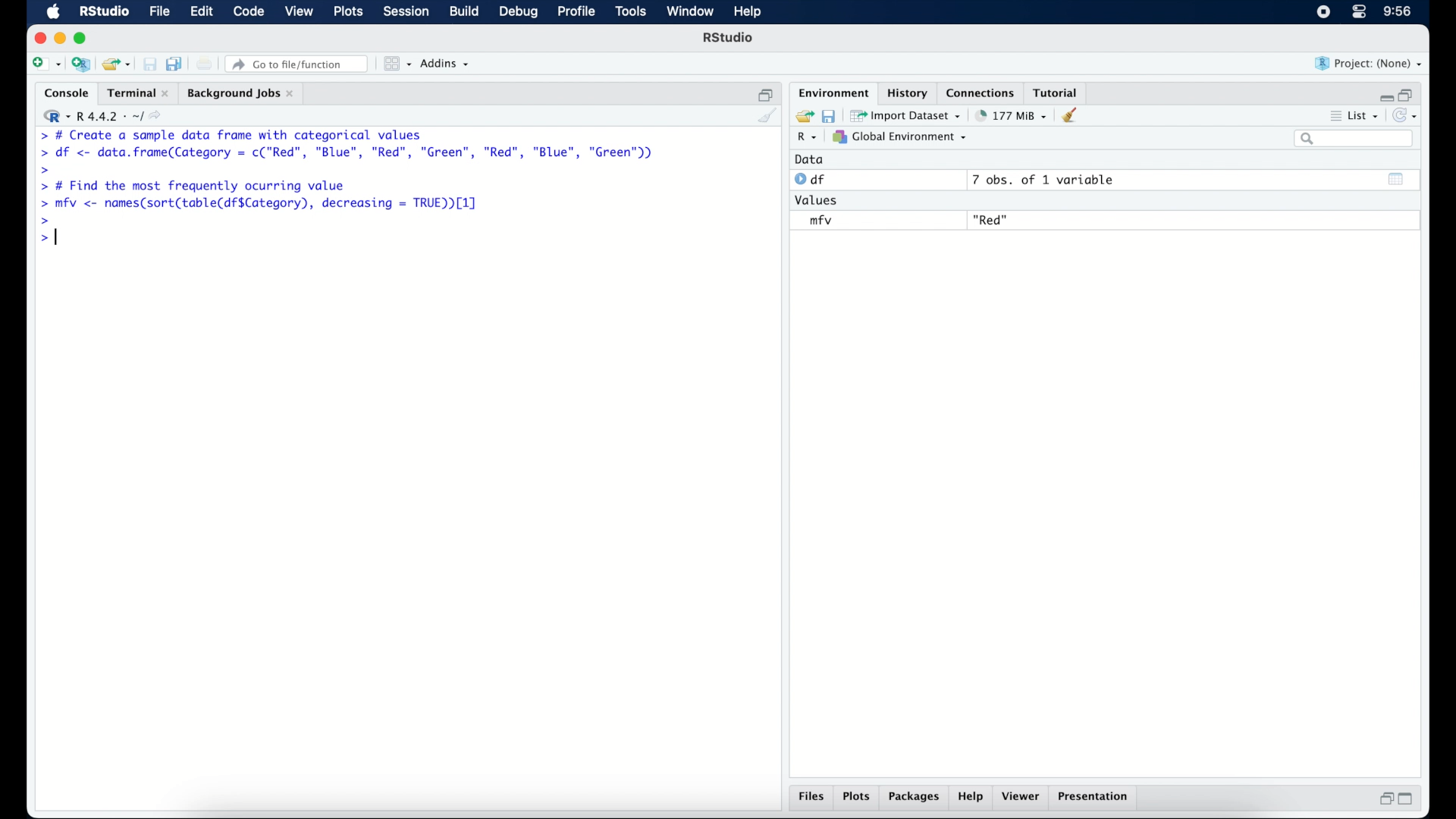  I want to click on global environment, so click(905, 137).